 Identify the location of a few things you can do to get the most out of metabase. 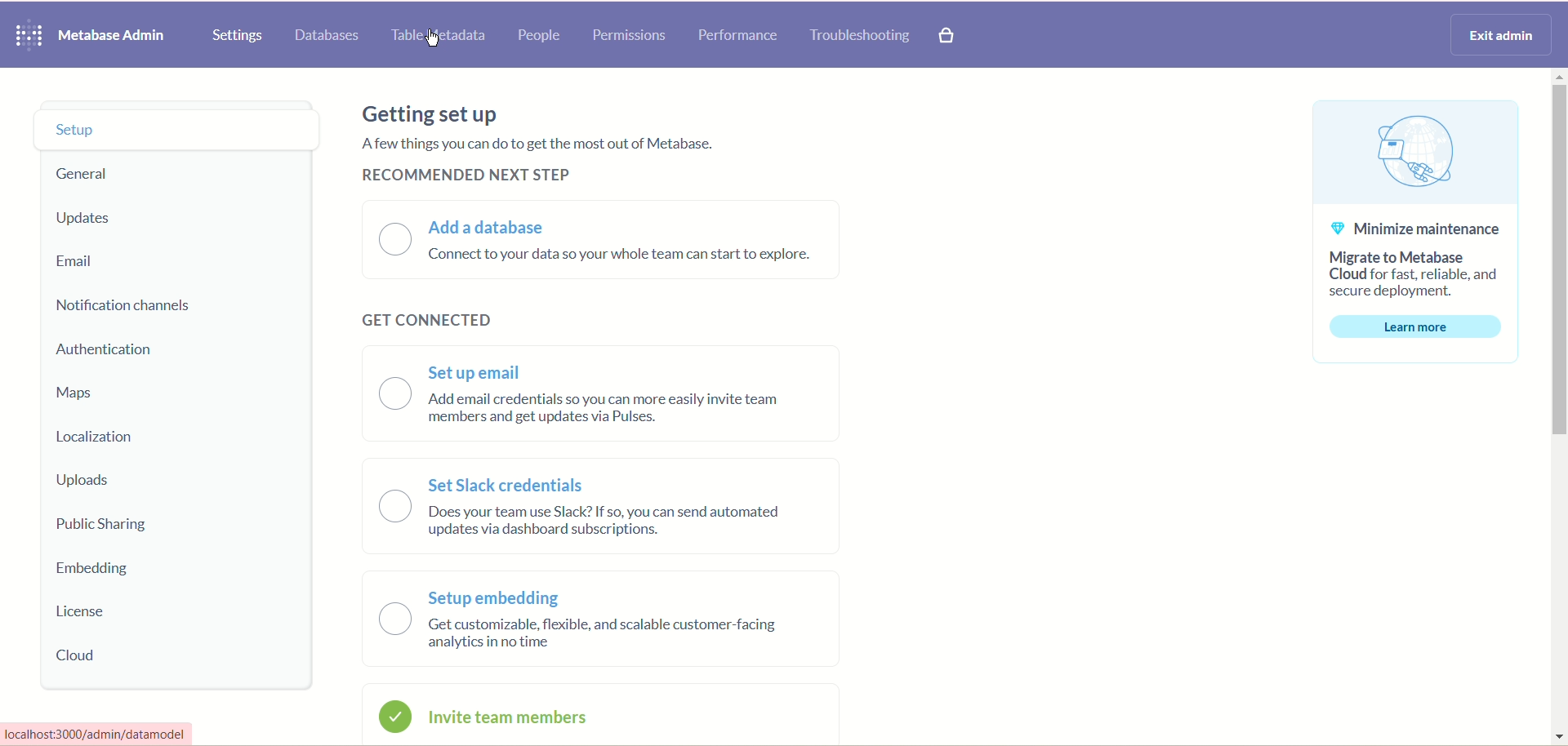
(528, 143).